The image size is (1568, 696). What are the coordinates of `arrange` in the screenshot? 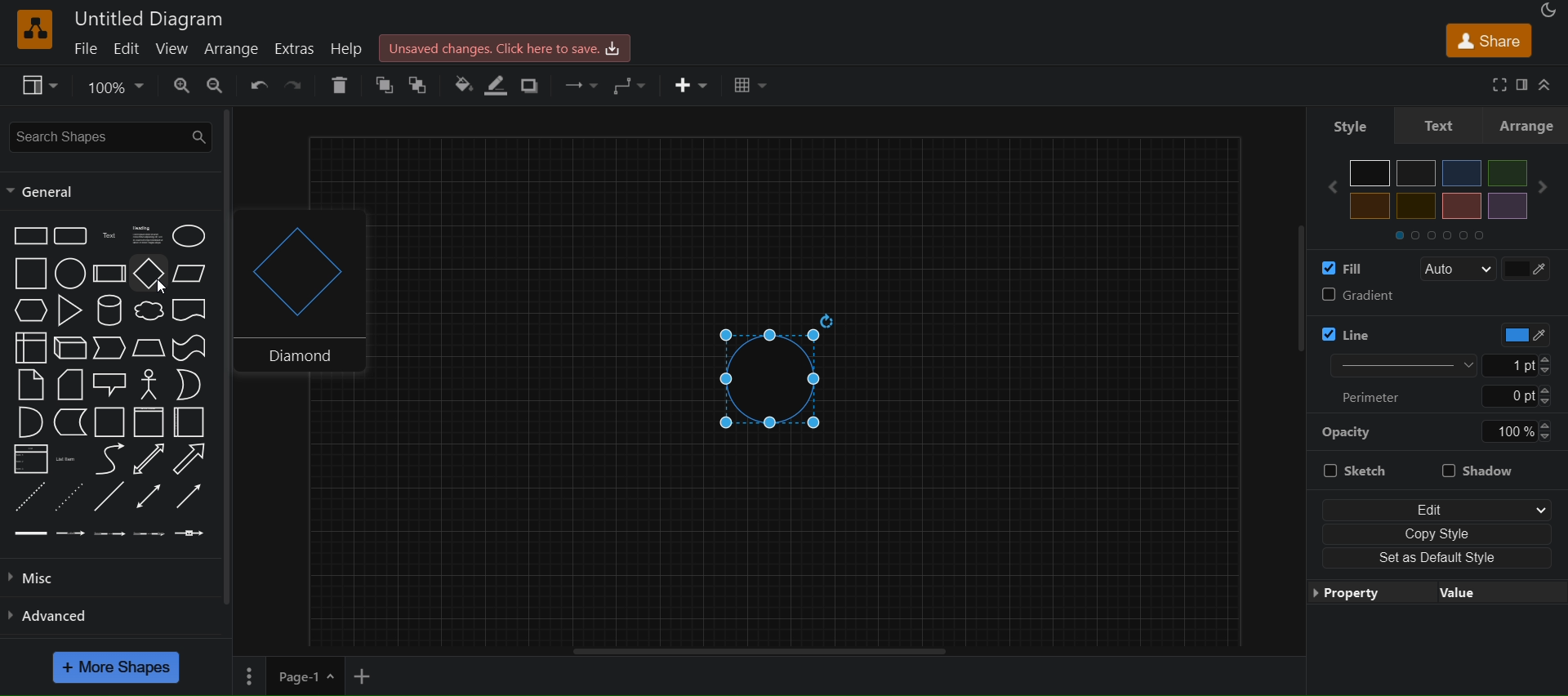 It's located at (1530, 125).